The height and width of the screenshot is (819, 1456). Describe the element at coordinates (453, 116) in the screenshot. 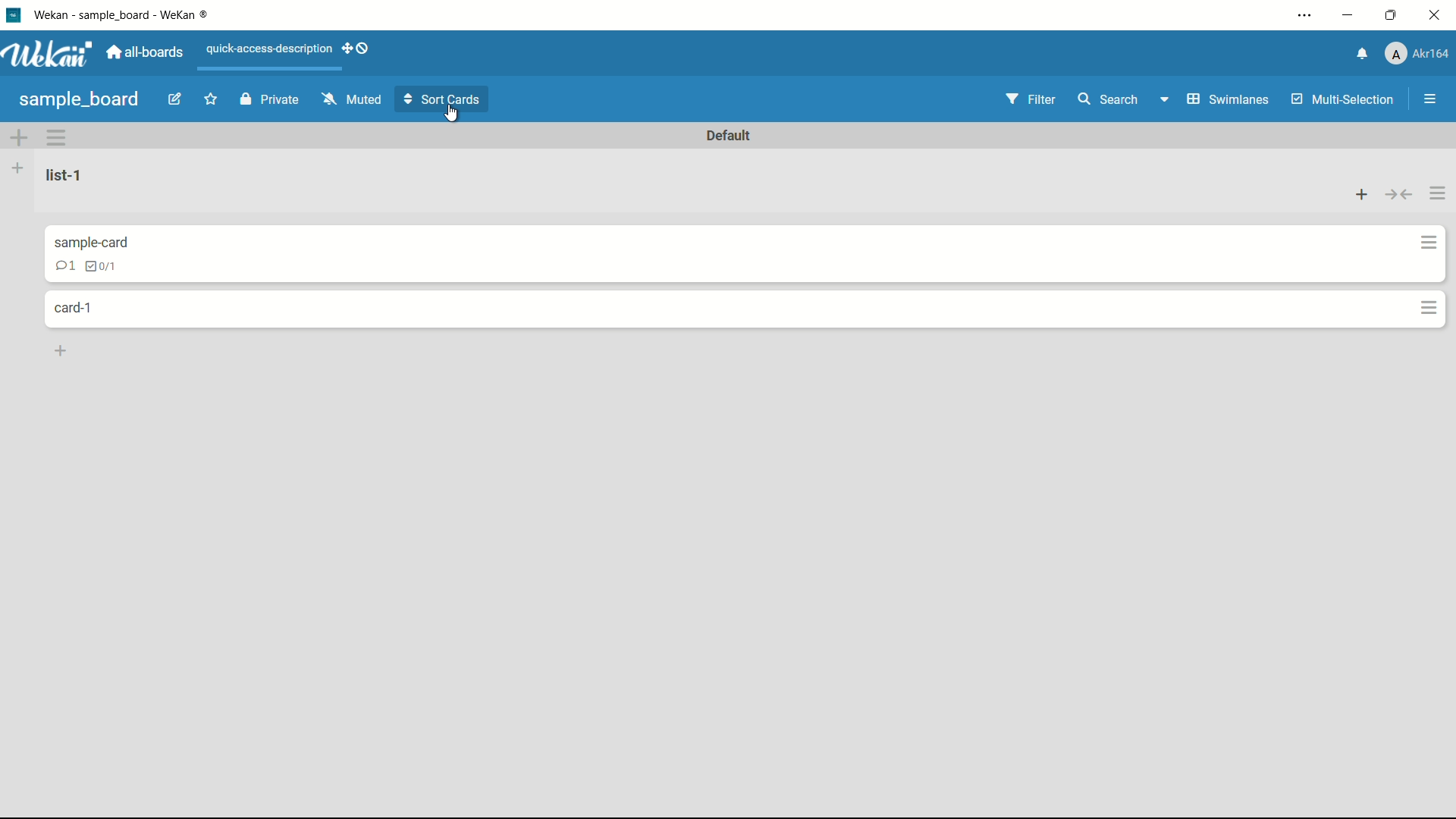

I see `cursor` at that location.